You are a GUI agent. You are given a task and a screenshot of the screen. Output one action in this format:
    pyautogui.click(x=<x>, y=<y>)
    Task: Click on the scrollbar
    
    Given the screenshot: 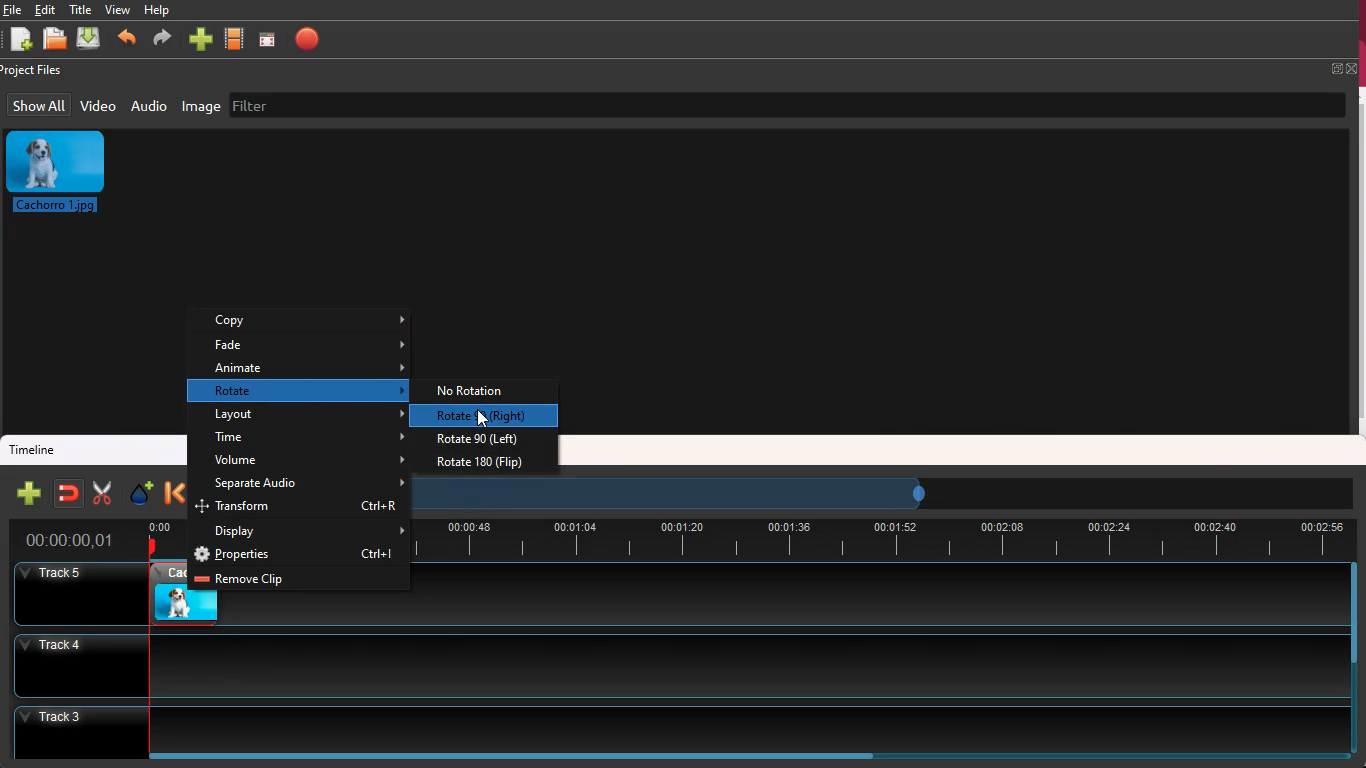 What is the action you would take?
    pyautogui.click(x=1348, y=660)
    